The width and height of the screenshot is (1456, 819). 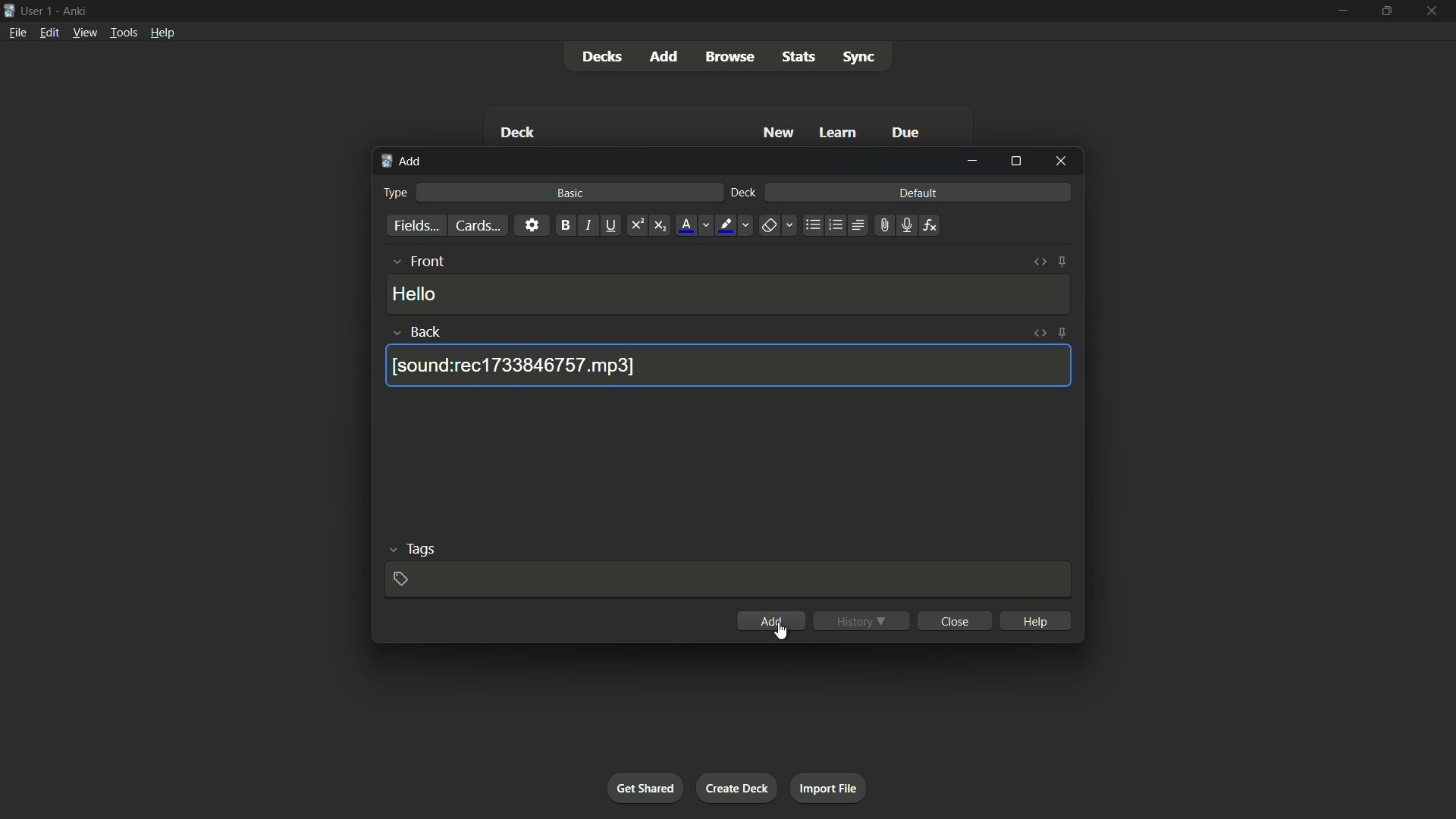 I want to click on new, so click(x=777, y=134).